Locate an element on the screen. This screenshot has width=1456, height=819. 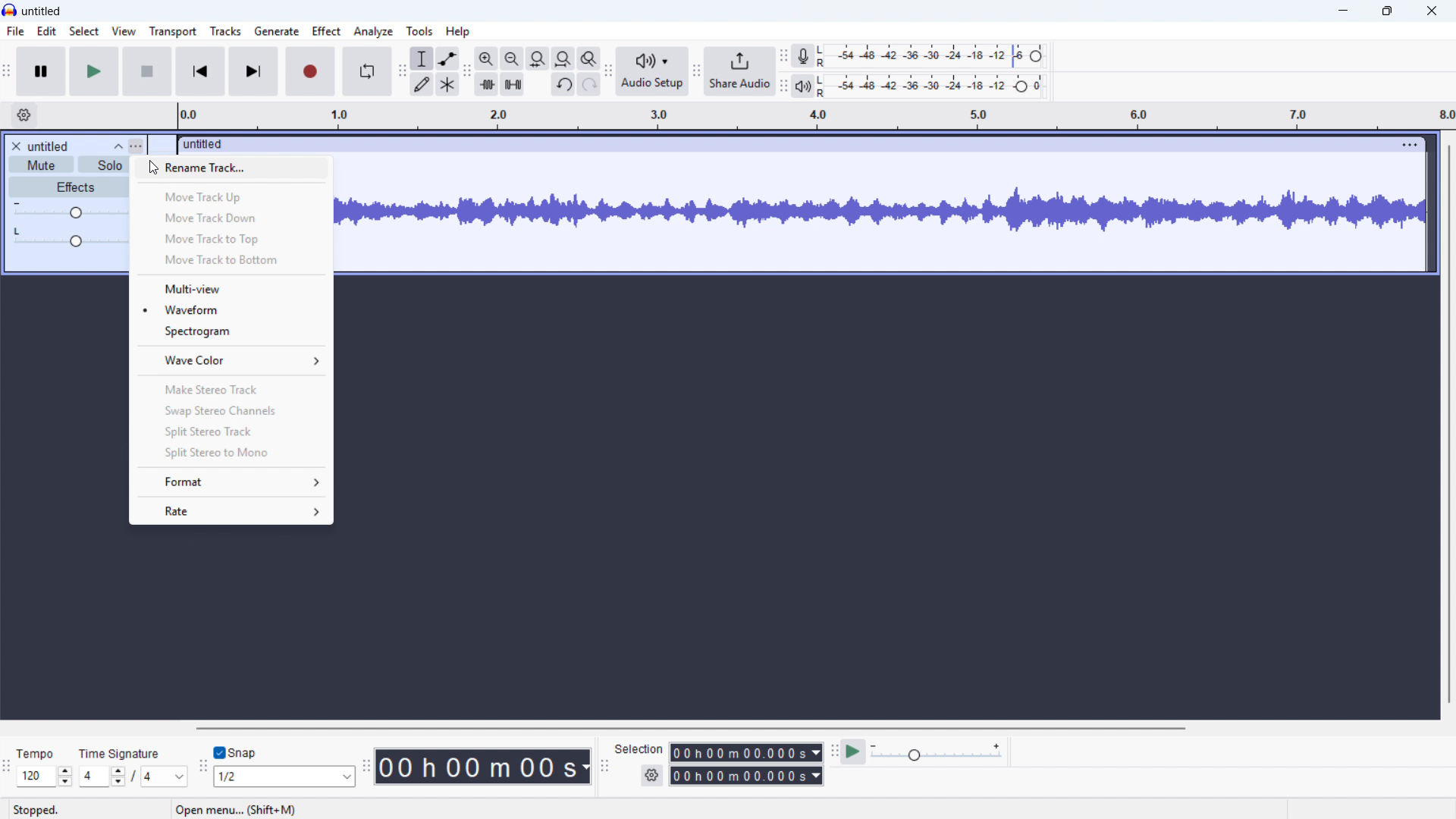
Audio setup toolbar  is located at coordinates (607, 72).